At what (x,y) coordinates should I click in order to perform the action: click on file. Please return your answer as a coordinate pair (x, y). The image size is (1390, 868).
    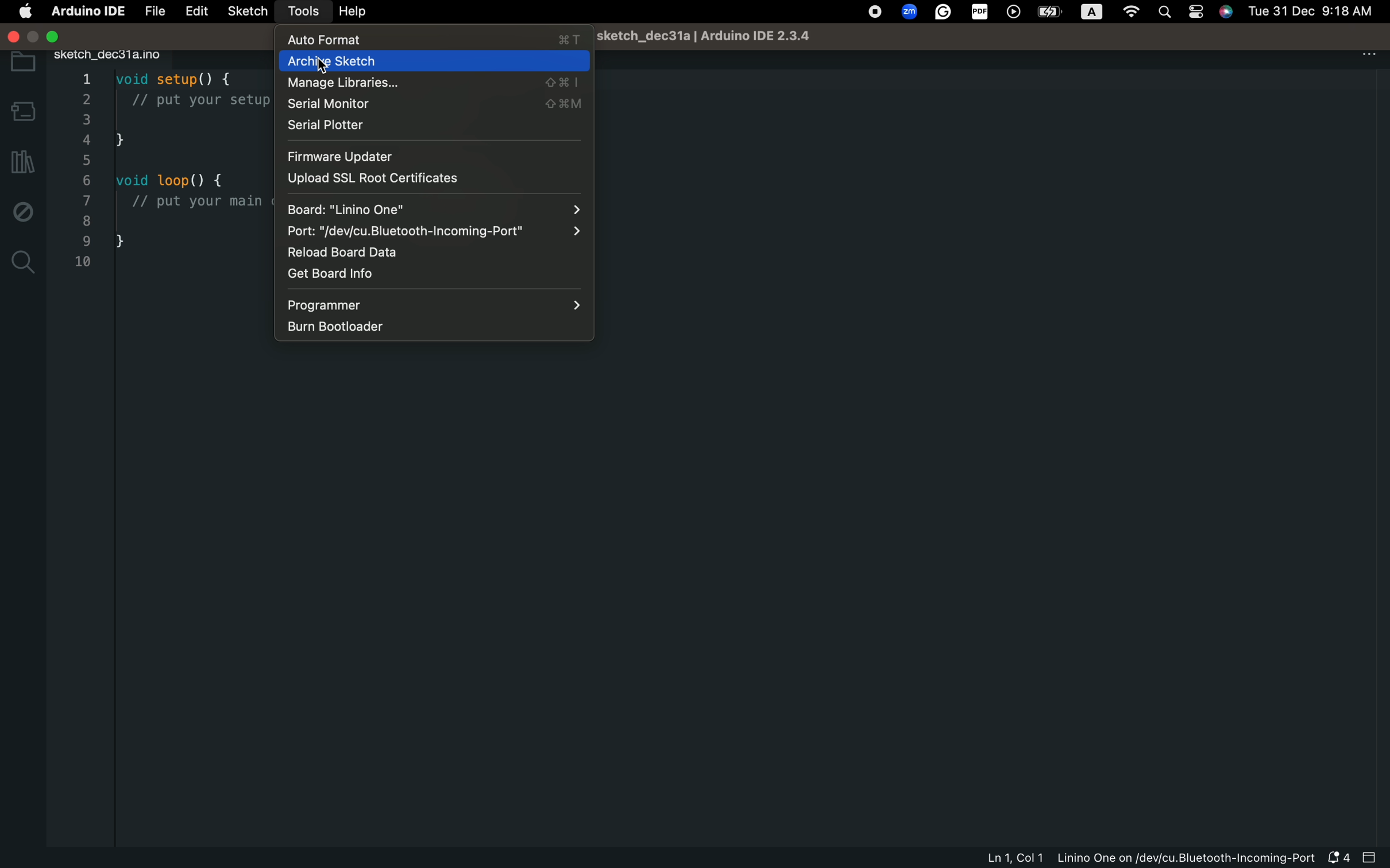
    Looking at the image, I should click on (154, 13).